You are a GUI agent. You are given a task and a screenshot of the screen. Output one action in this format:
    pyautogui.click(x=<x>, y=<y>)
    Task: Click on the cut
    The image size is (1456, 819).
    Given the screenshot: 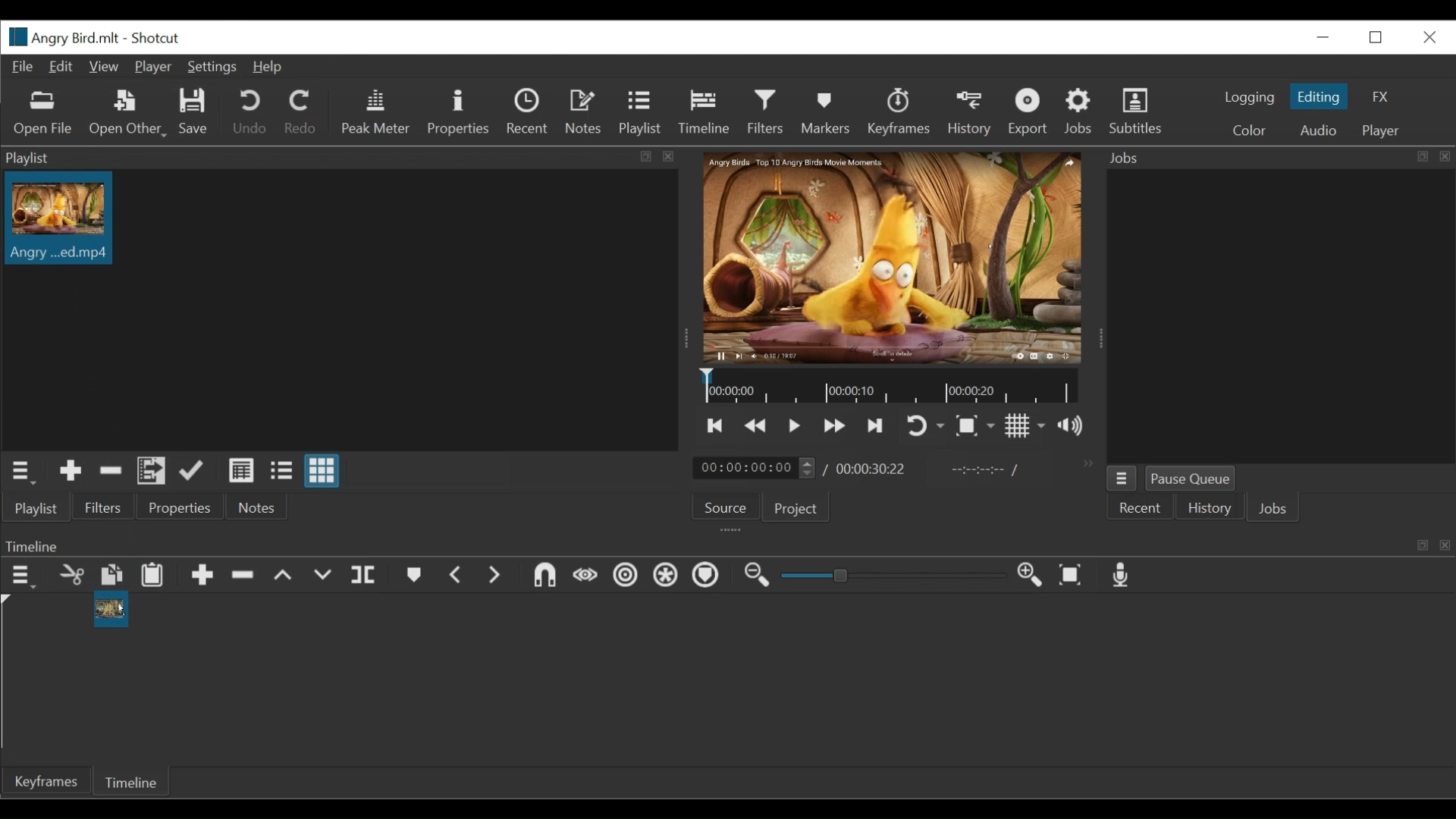 What is the action you would take?
    pyautogui.click(x=70, y=575)
    